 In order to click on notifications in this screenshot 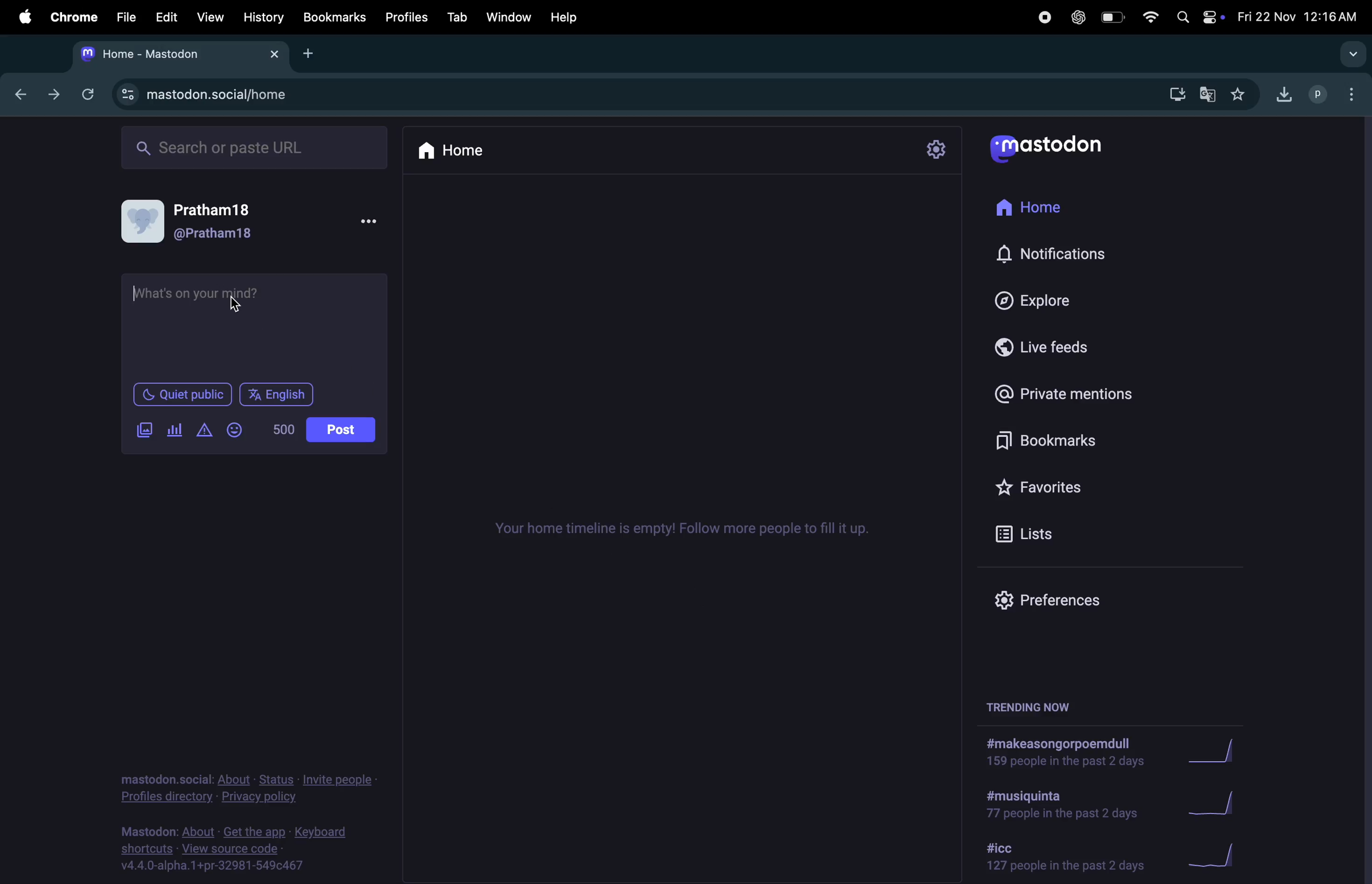, I will do `click(1059, 253)`.